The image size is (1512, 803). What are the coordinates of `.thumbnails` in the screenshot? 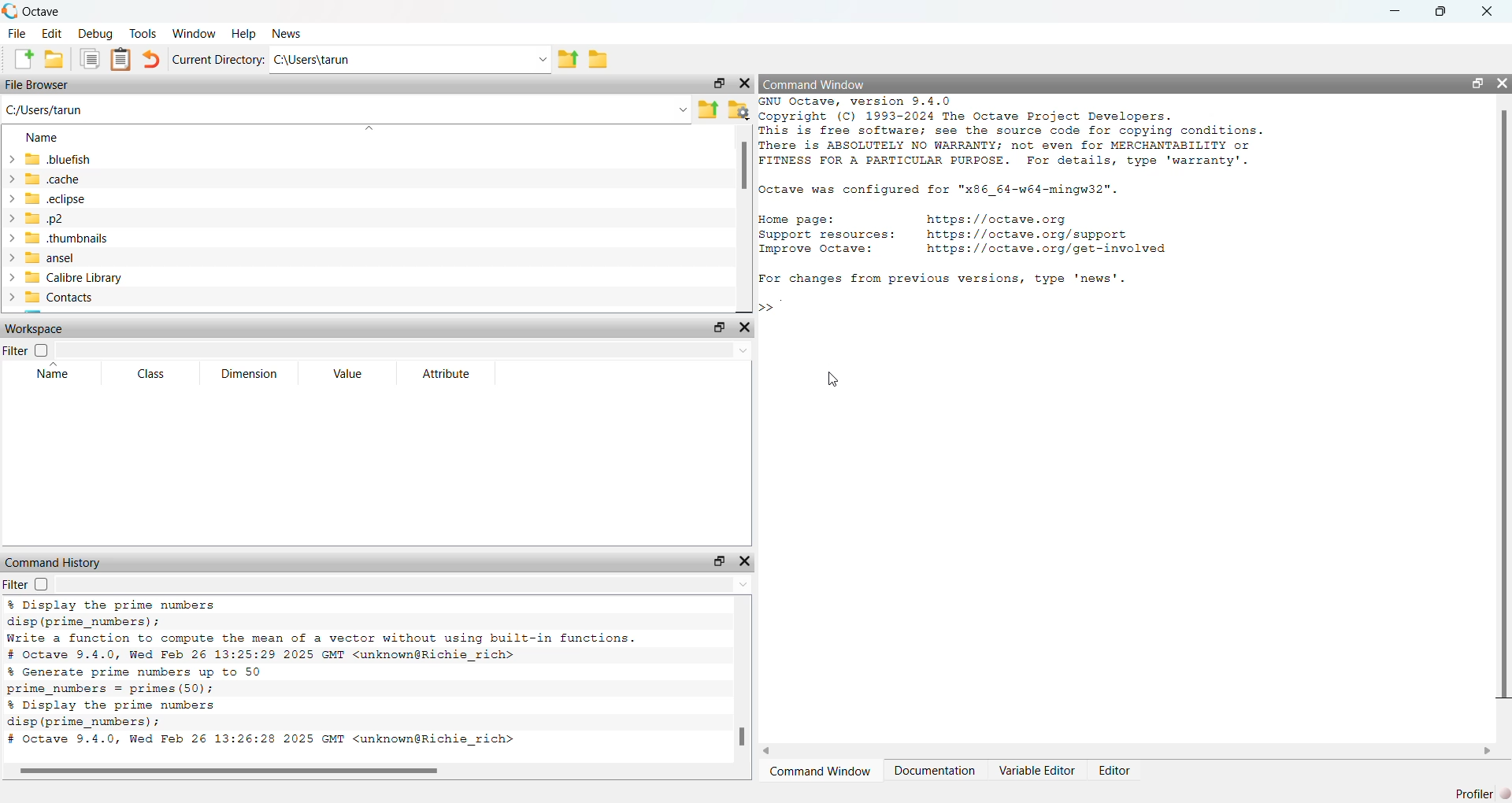 It's located at (68, 238).